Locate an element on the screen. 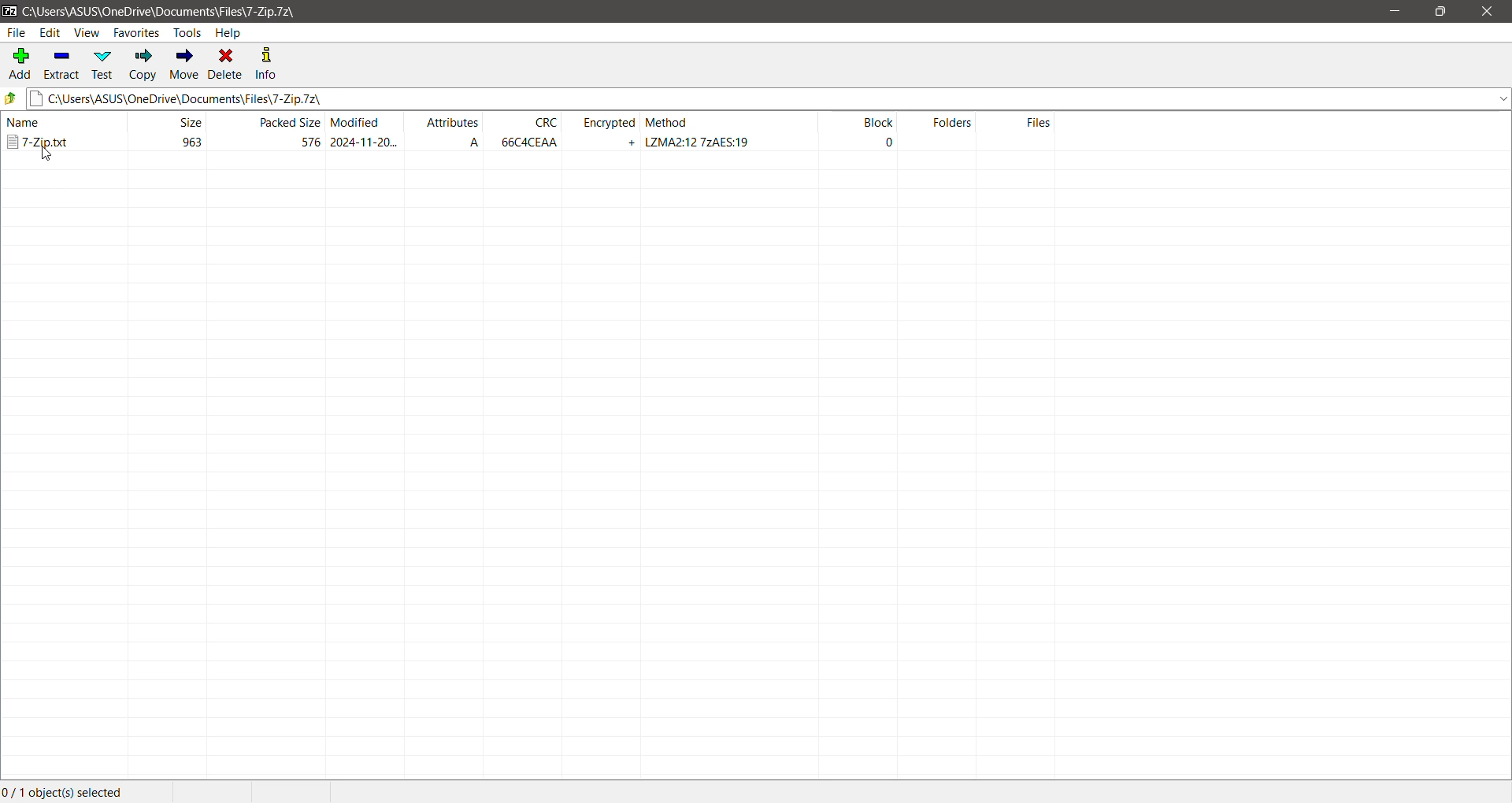 The image size is (1512, 803). Move Up one level is located at coordinates (11, 98).